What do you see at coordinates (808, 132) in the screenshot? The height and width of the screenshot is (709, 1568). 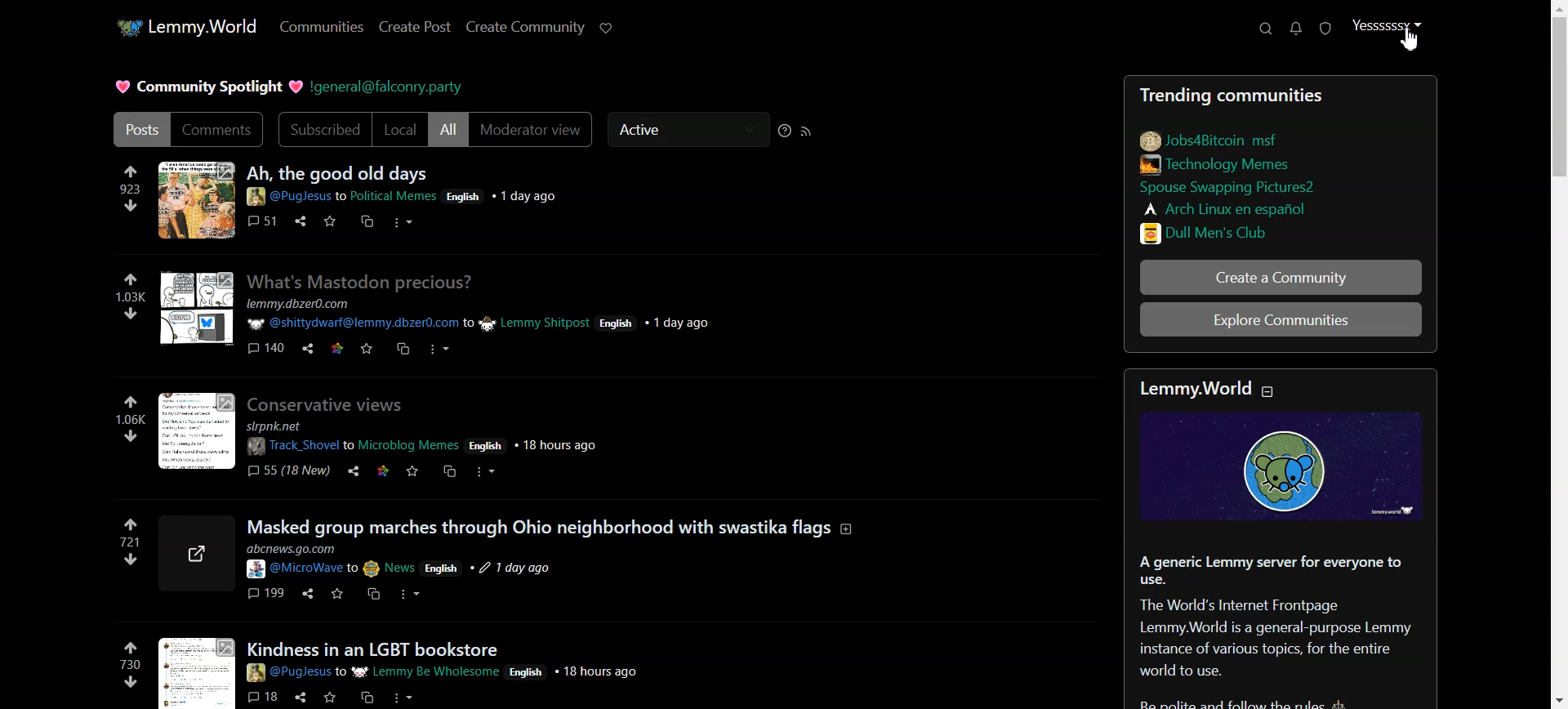 I see `RSS` at bounding box center [808, 132].